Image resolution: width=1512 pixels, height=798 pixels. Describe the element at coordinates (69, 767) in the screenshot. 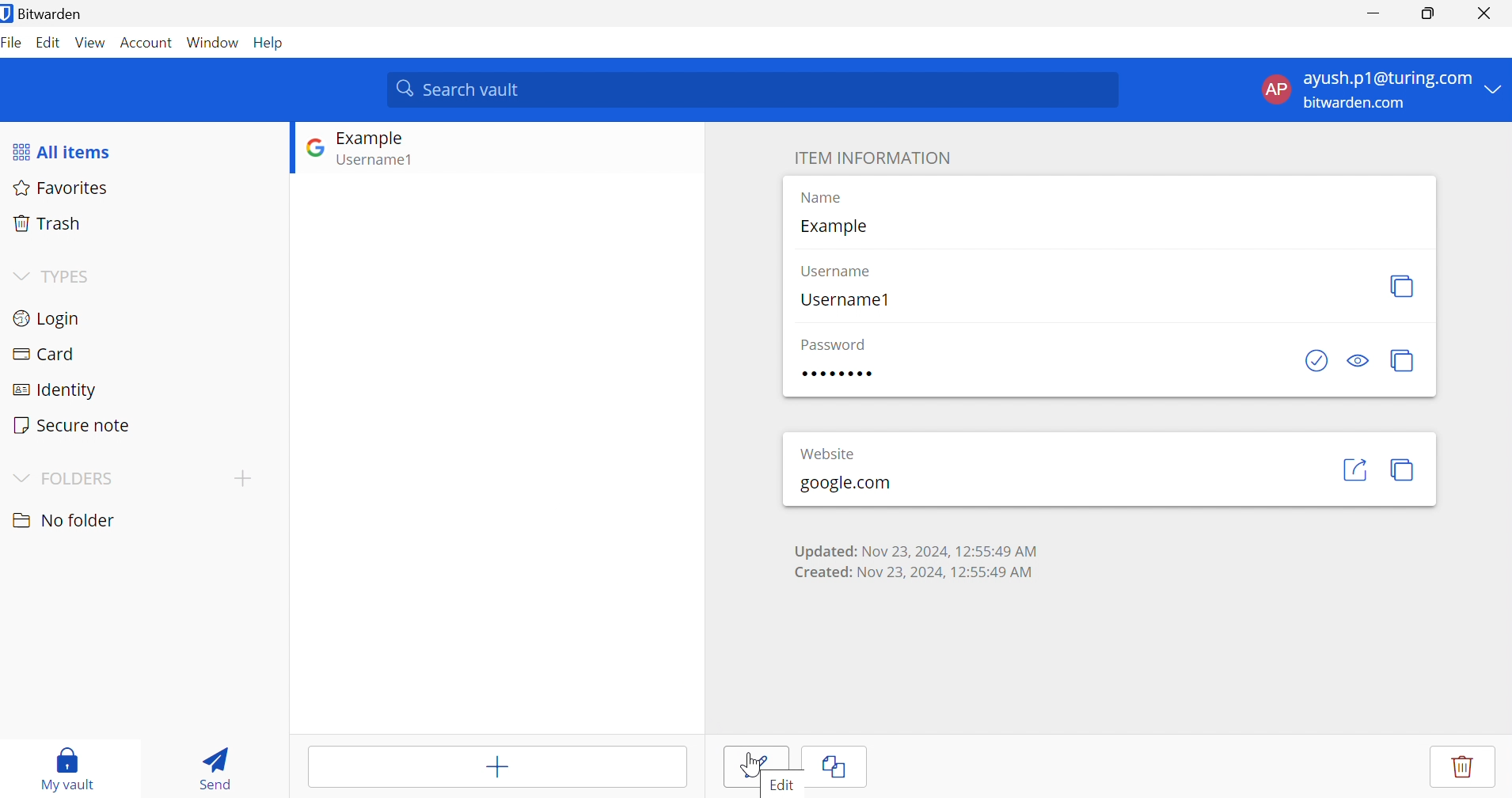

I see `My vault` at that location.